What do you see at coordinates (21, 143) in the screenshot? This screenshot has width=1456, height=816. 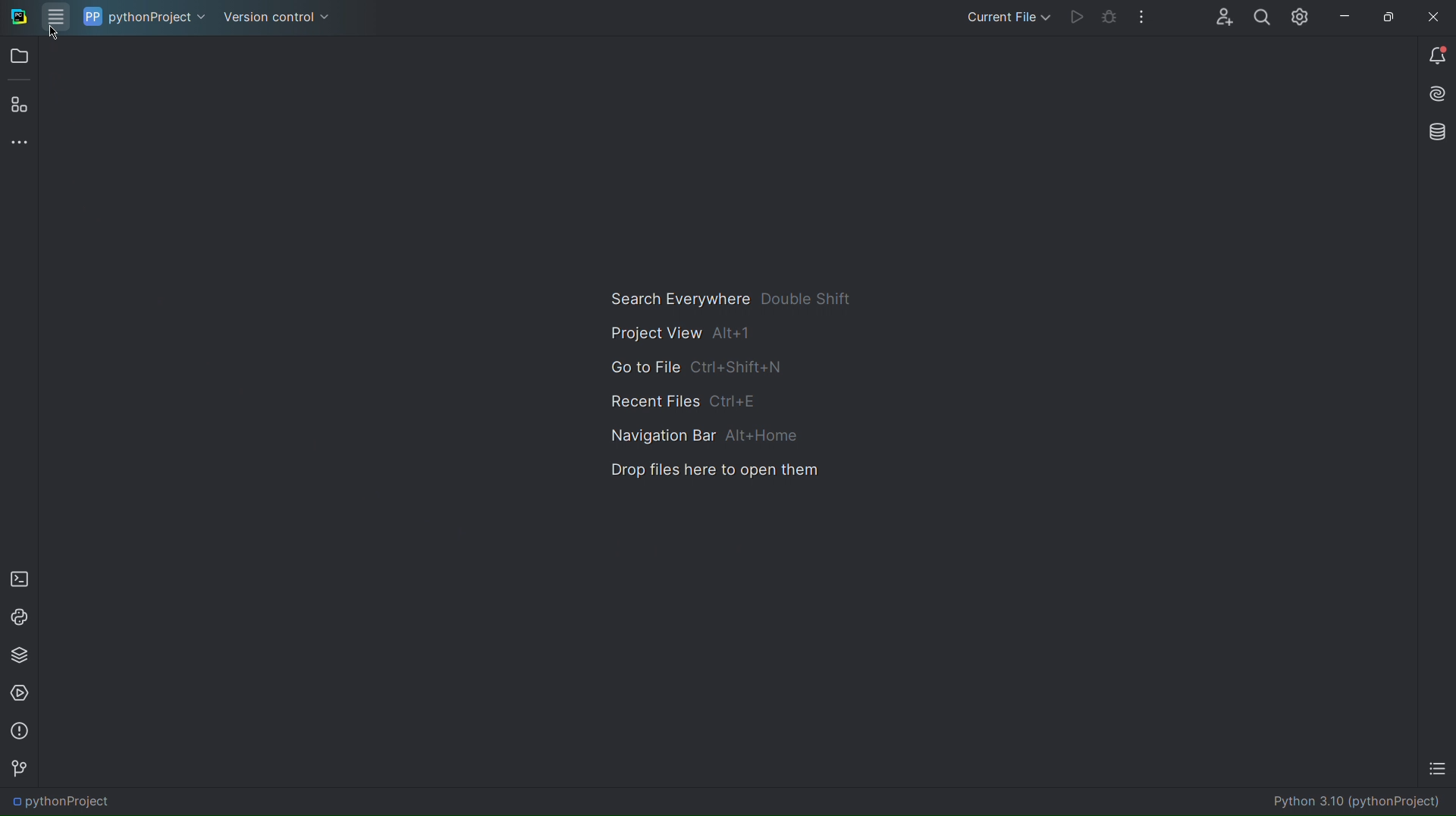 I see `More` at bounding box center [21, 143].